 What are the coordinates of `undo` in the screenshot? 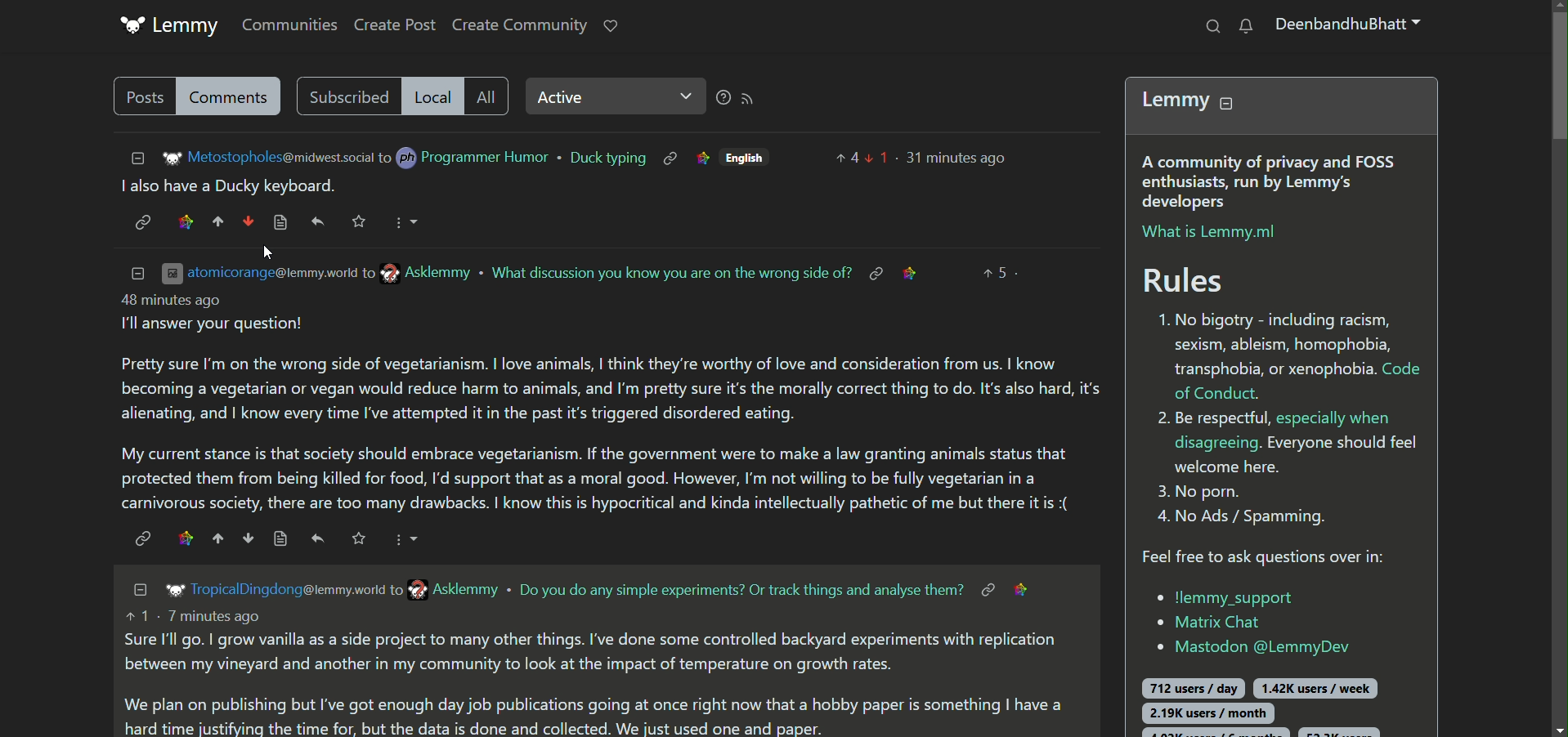 It's located at (319, 221).